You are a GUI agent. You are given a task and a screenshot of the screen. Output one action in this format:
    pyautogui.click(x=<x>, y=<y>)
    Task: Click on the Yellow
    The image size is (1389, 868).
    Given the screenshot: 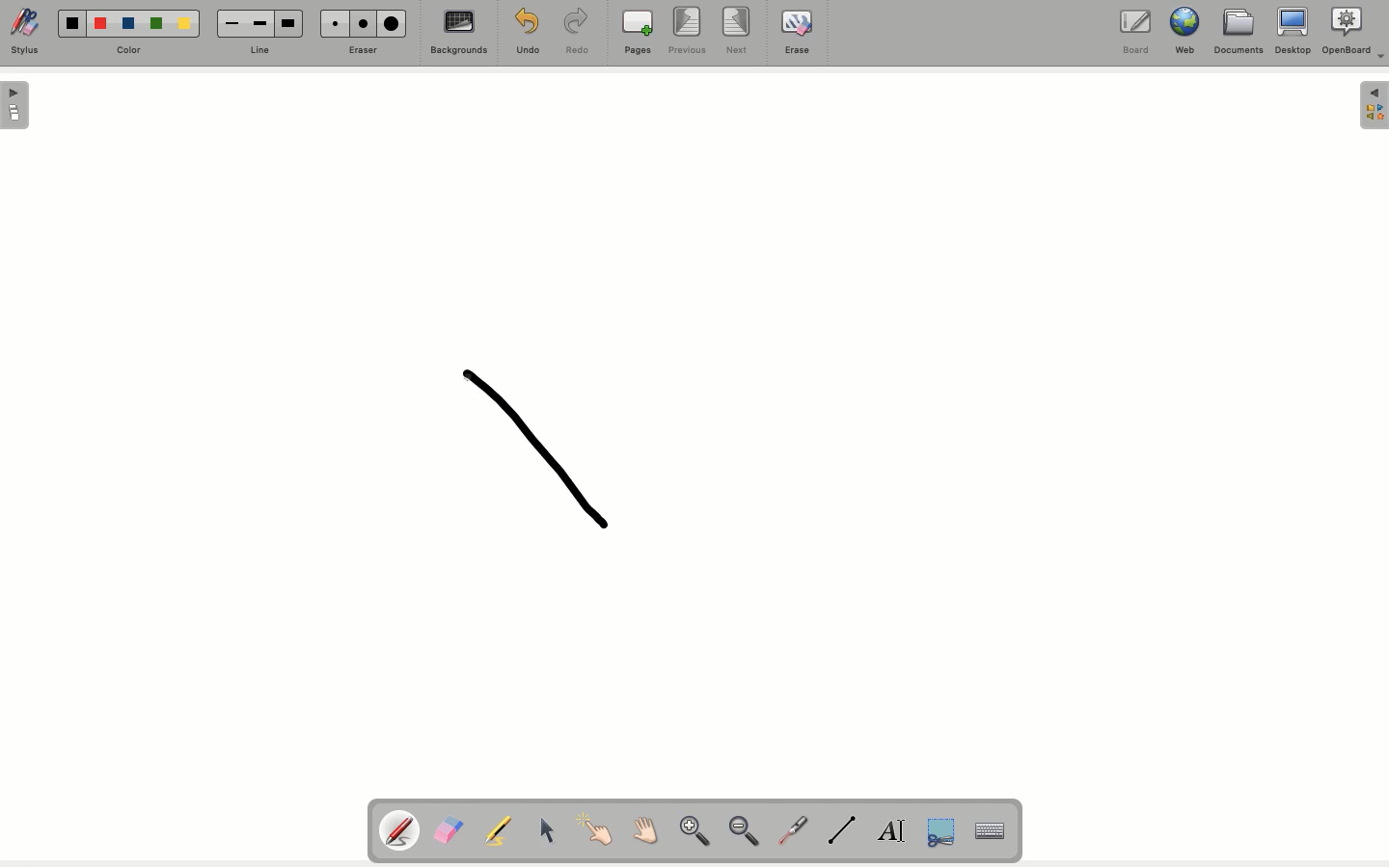 What is the action you would take?
    pyautogui.click(x=187, y=26)
    